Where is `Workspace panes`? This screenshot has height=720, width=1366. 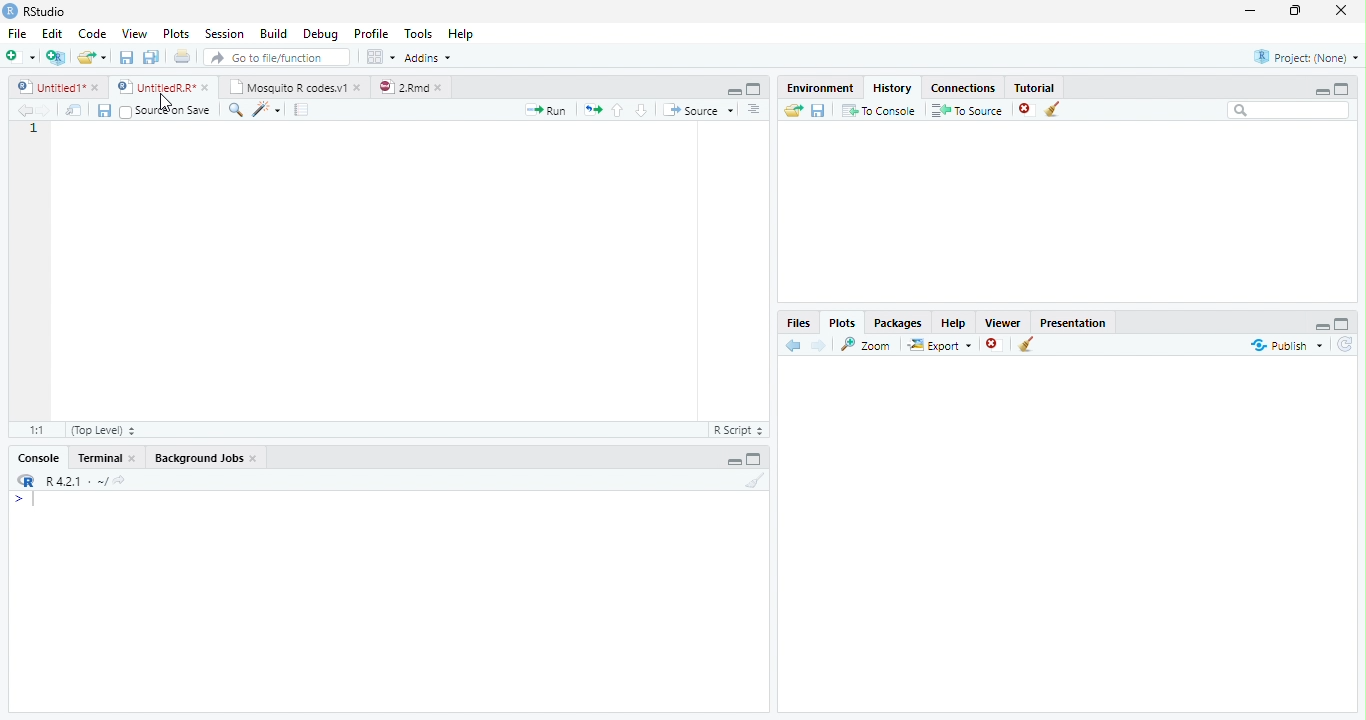
Workspace panes is located at coordinates (379, 57).